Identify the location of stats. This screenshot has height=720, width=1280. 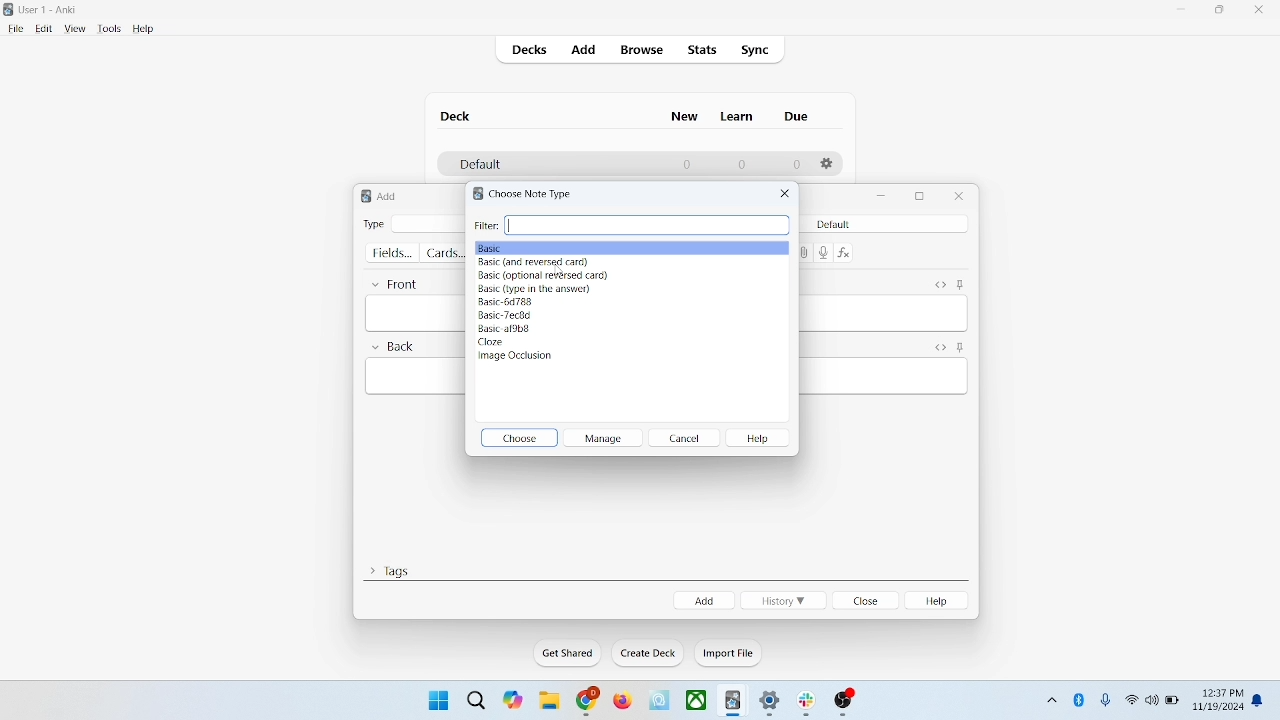
(701, 50).